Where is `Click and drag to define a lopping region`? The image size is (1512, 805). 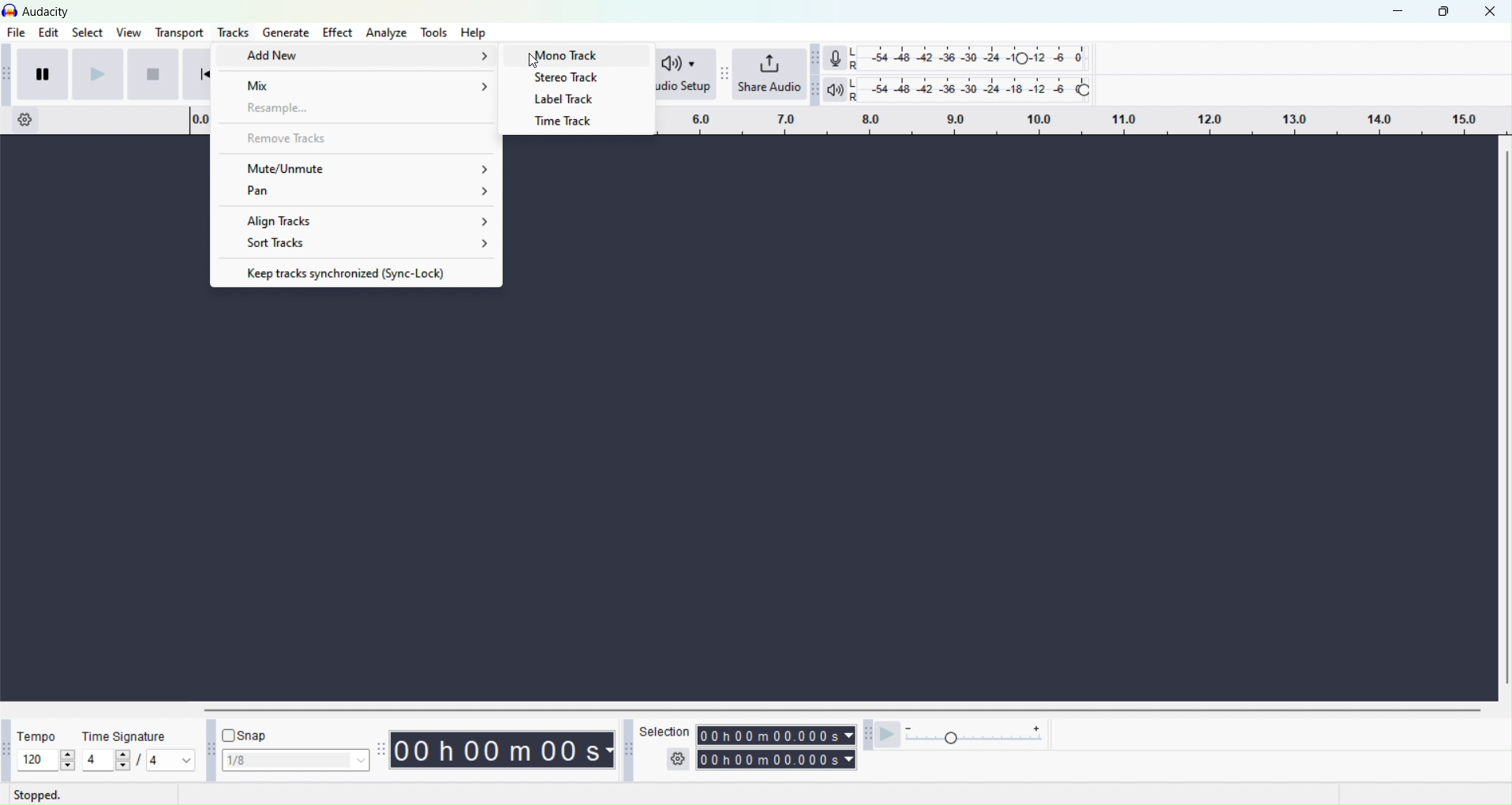
Click and drag to define a lopping region is located at coordinates (1059, 122).